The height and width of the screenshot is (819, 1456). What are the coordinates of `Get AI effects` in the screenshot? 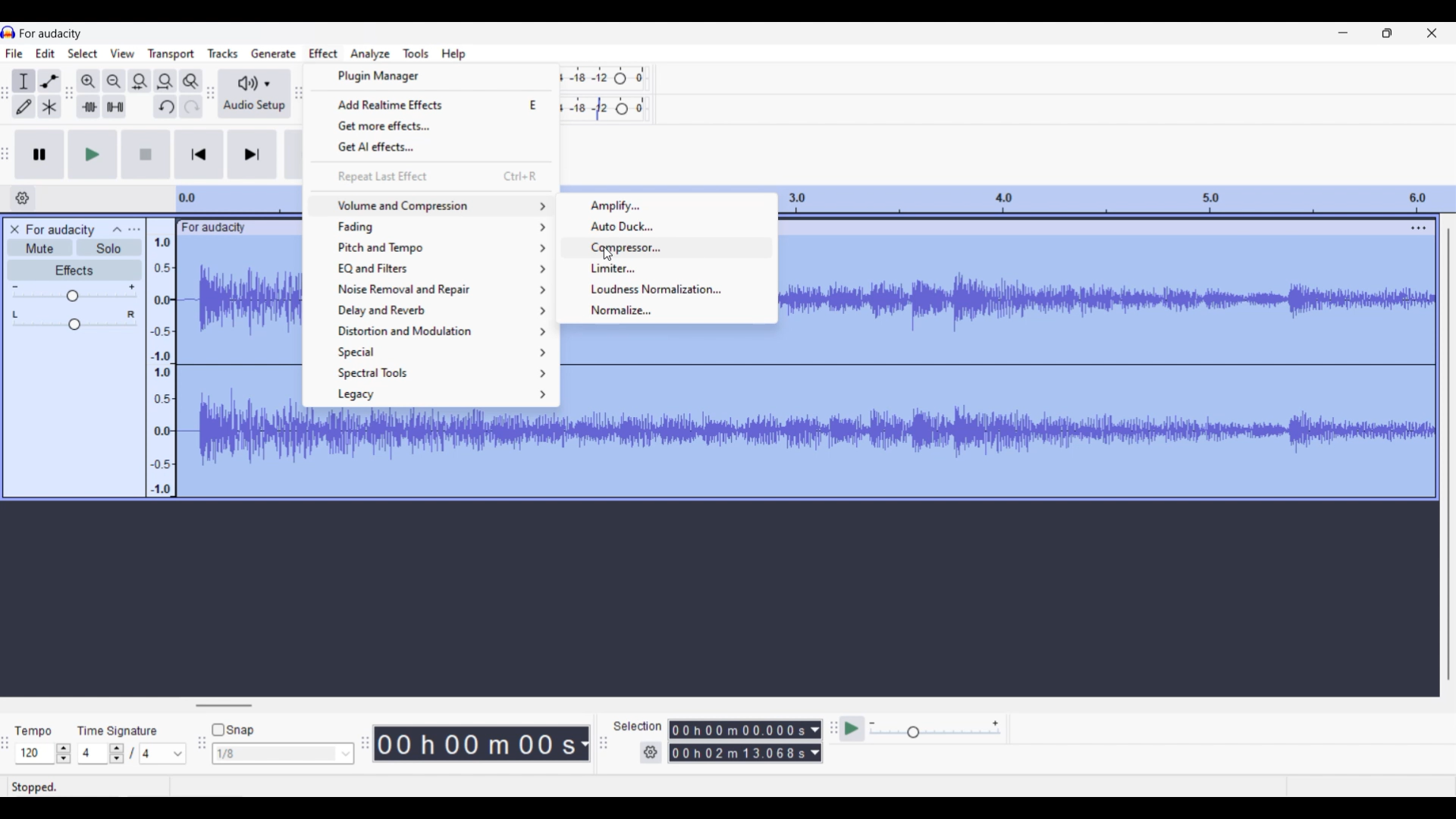 It's located at (432, 148).